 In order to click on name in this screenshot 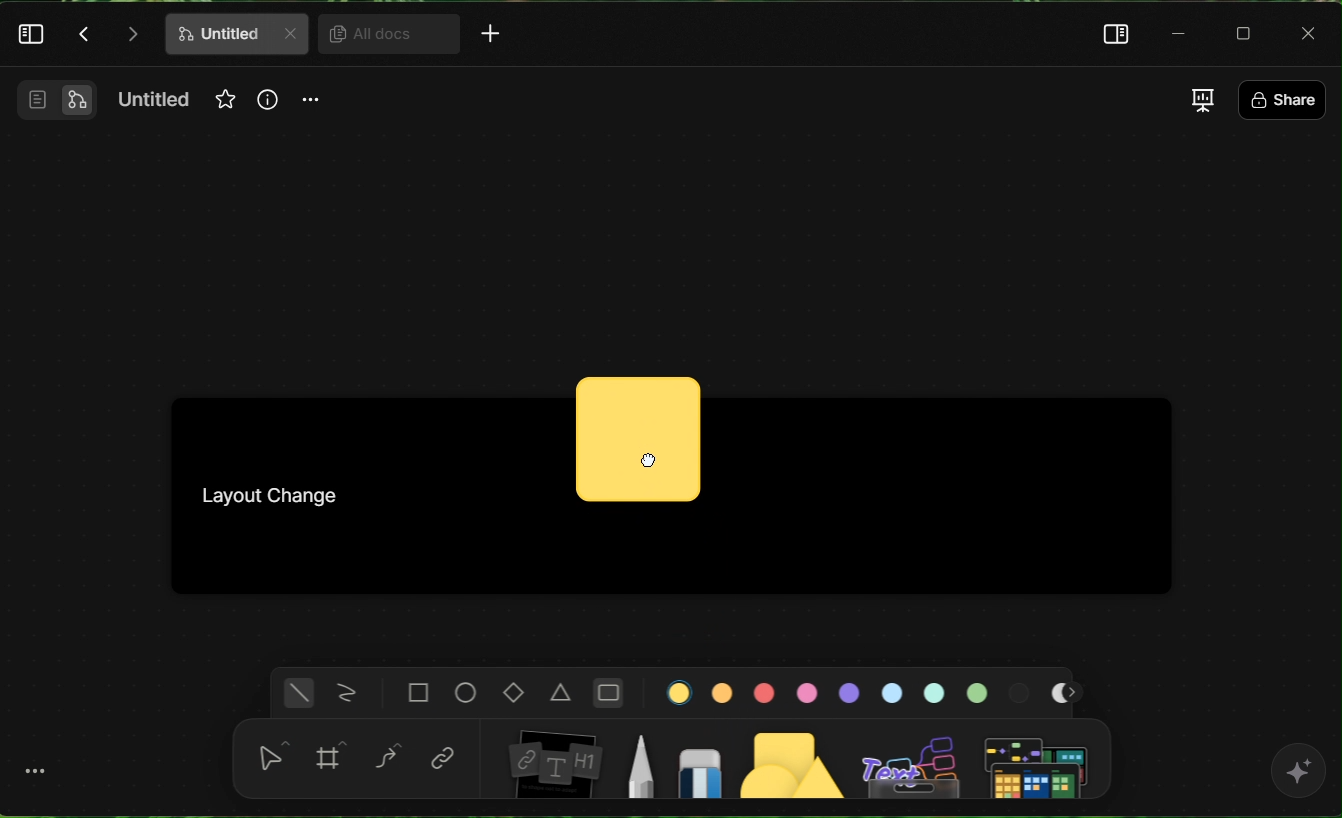, I will do `click(157, 103)`.